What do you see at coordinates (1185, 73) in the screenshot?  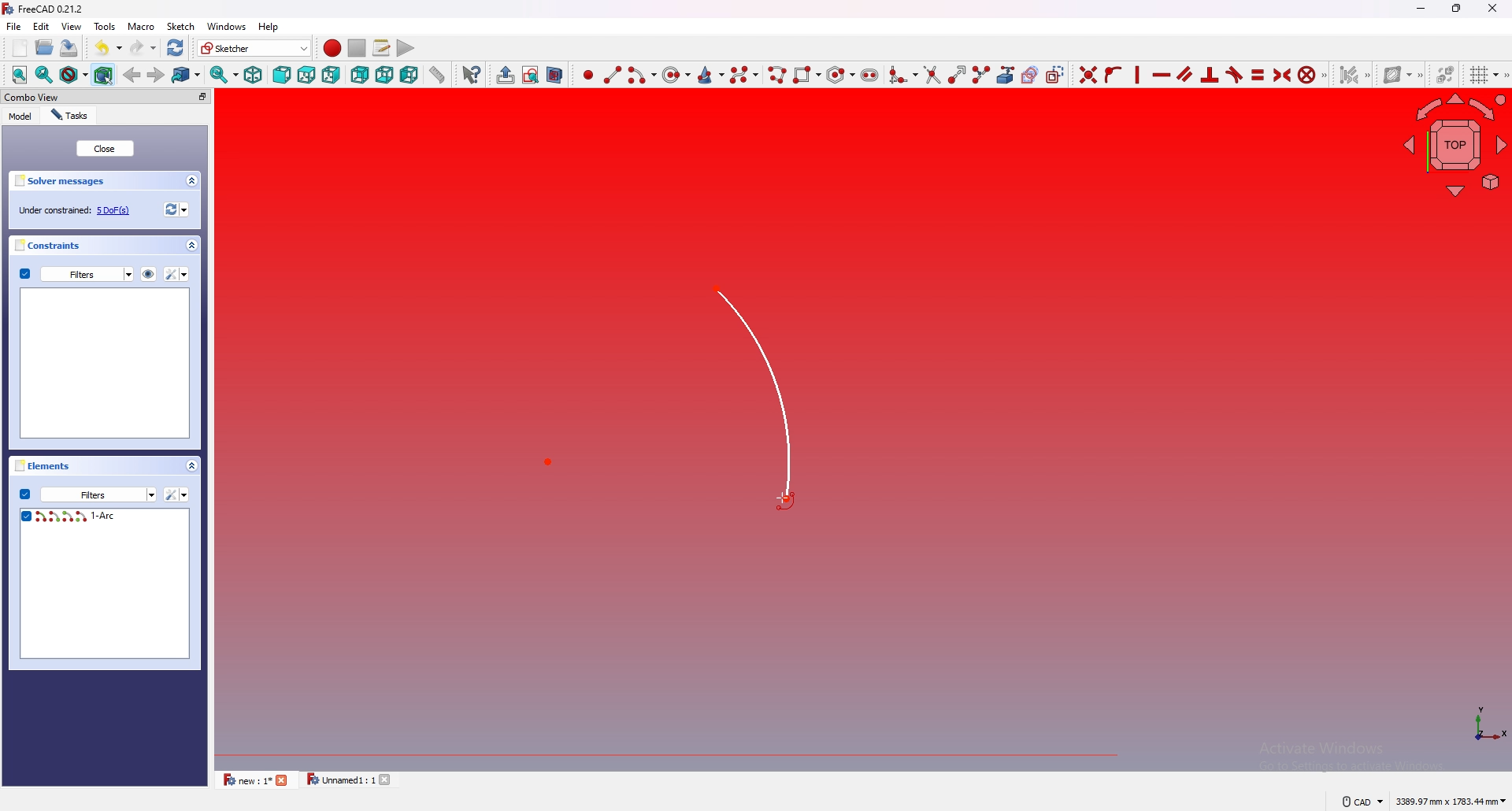 I see `constraint parallel` at bounding box center [1185, 73].